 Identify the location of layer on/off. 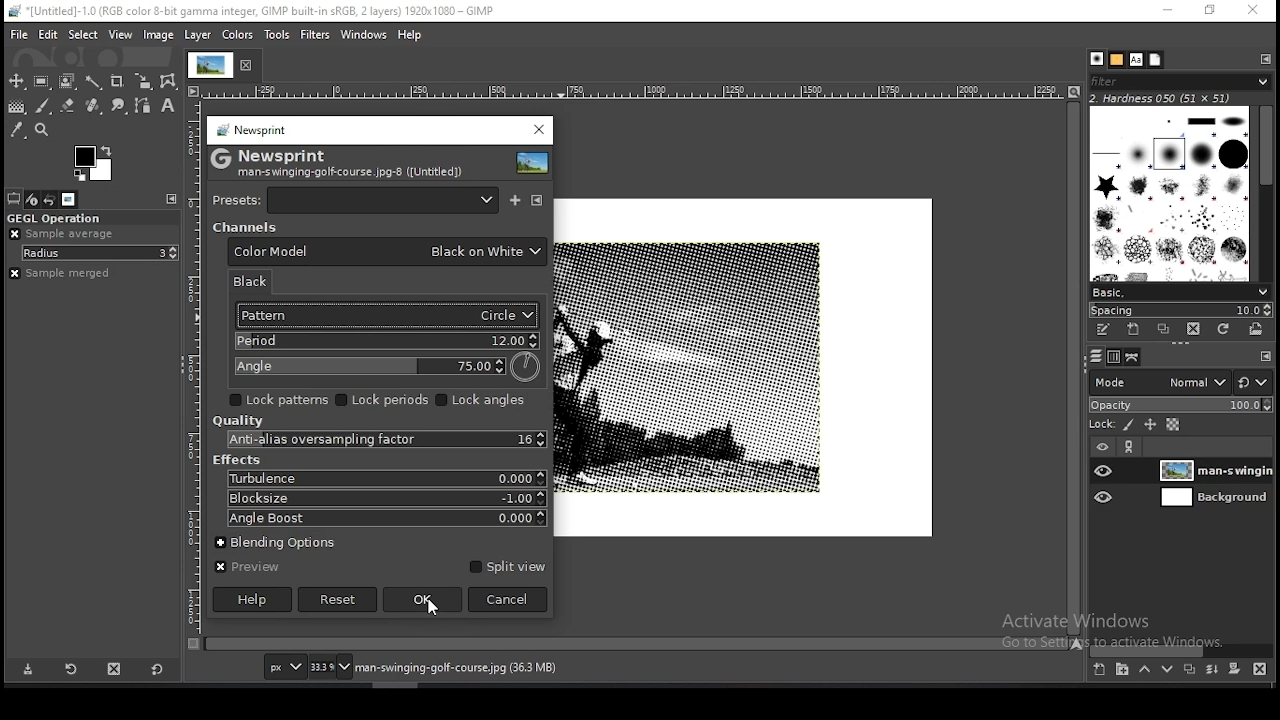
(1103, 445).